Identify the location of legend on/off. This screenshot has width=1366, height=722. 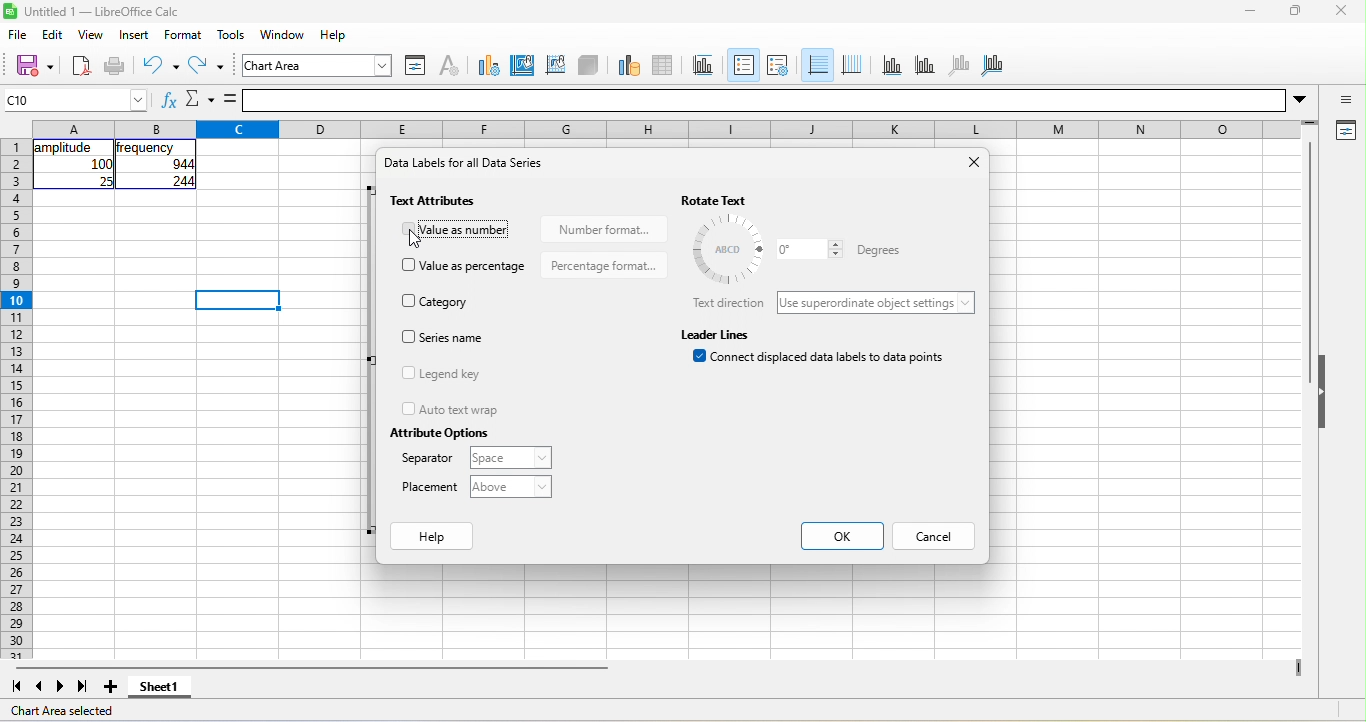
(741, 65).